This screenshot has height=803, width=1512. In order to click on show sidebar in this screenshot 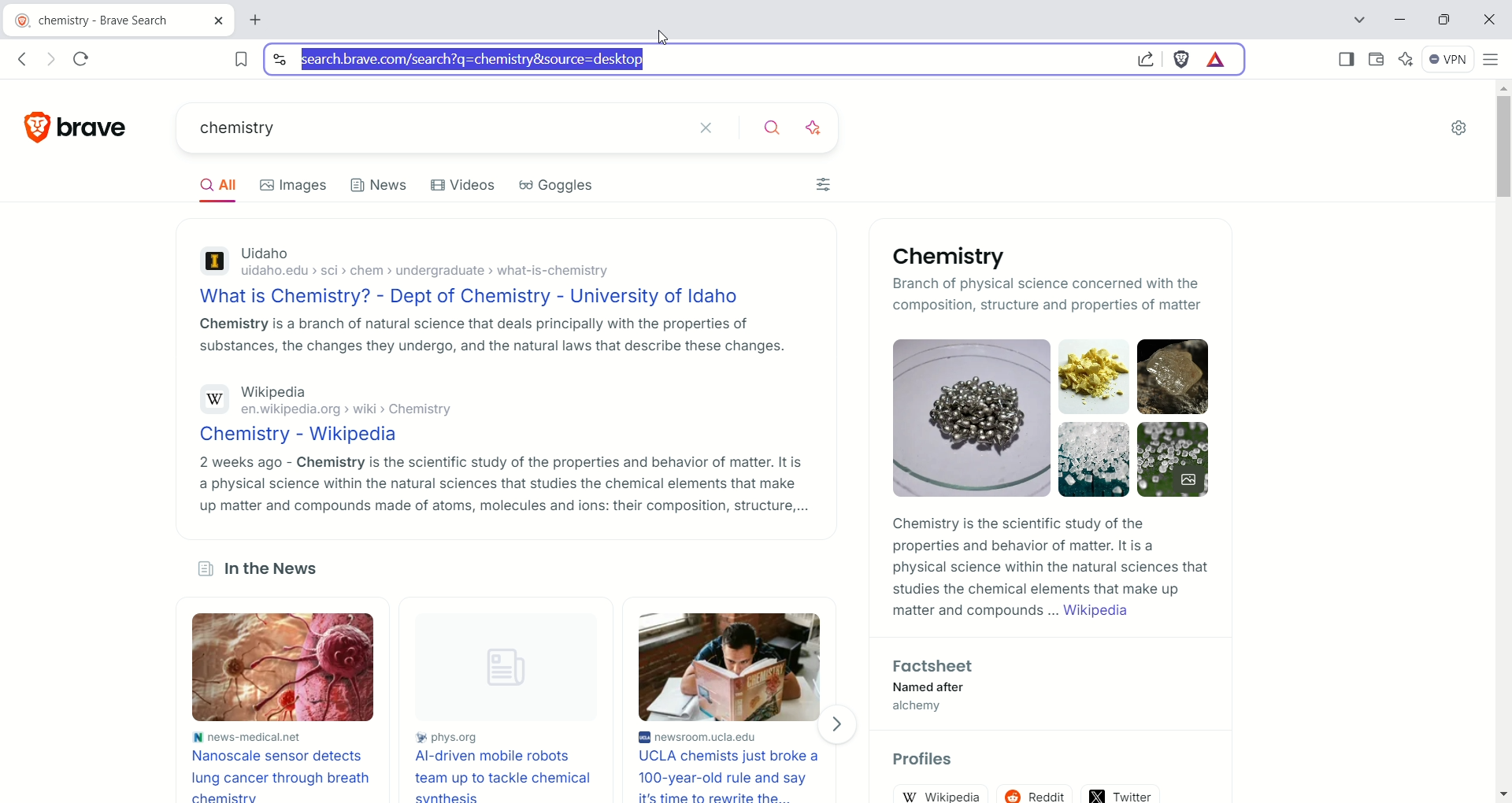, I will do `click(1347, 61)`.